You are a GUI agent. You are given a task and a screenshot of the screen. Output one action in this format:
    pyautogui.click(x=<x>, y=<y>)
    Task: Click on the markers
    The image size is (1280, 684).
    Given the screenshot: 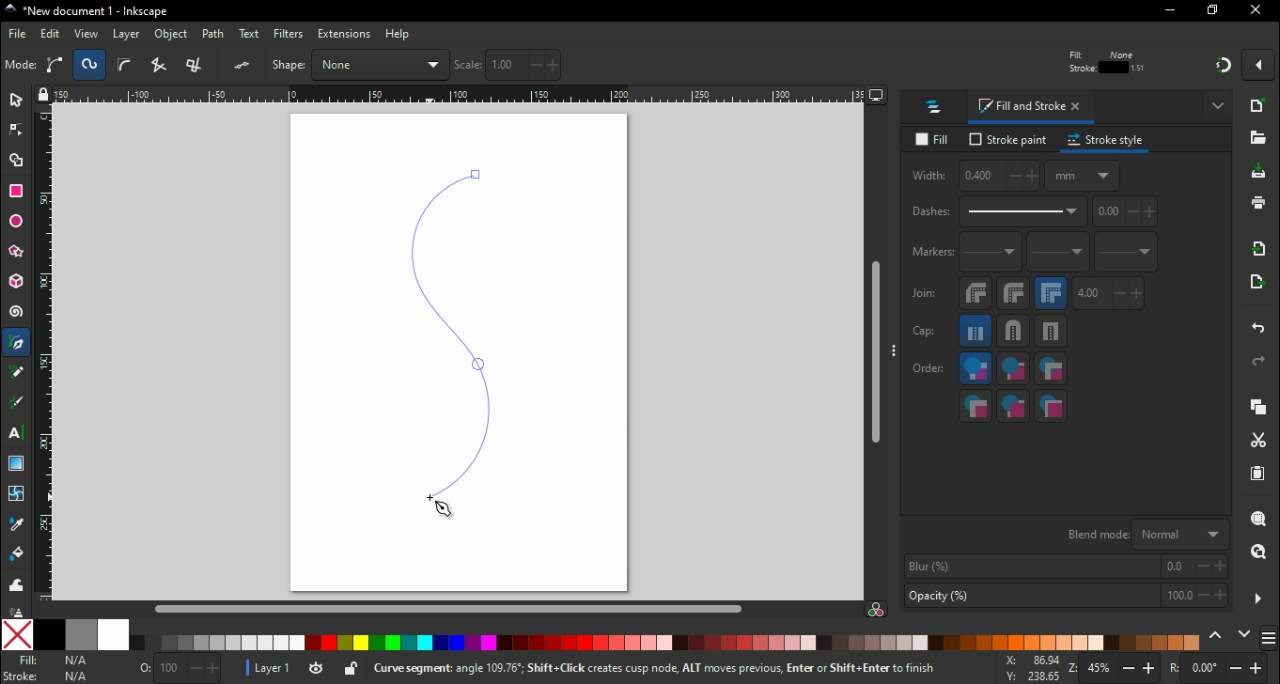 What is the action you would take?
    pyautogui.click(x=932, y=256)
    